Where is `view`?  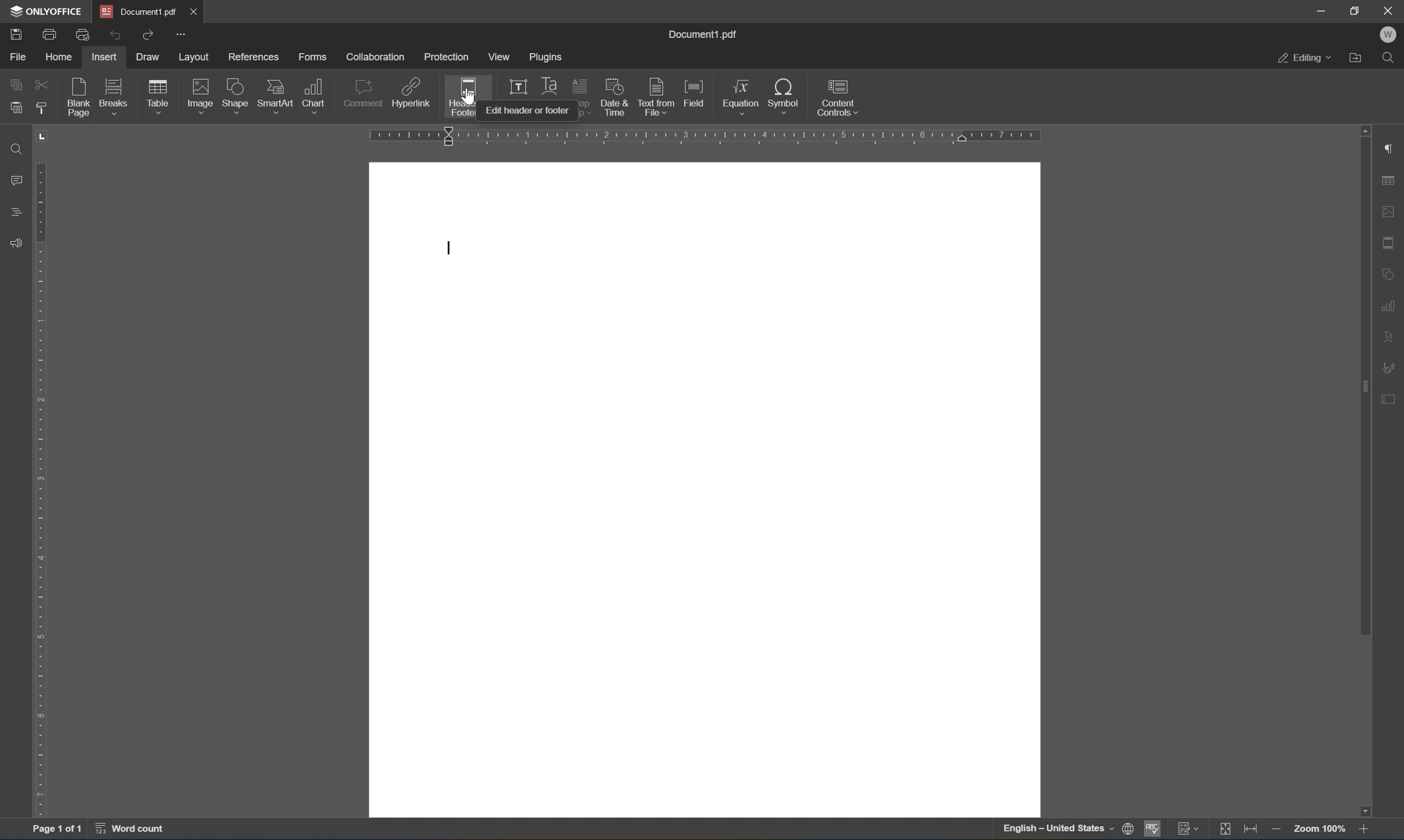 view is located at coordinates (496, 57).